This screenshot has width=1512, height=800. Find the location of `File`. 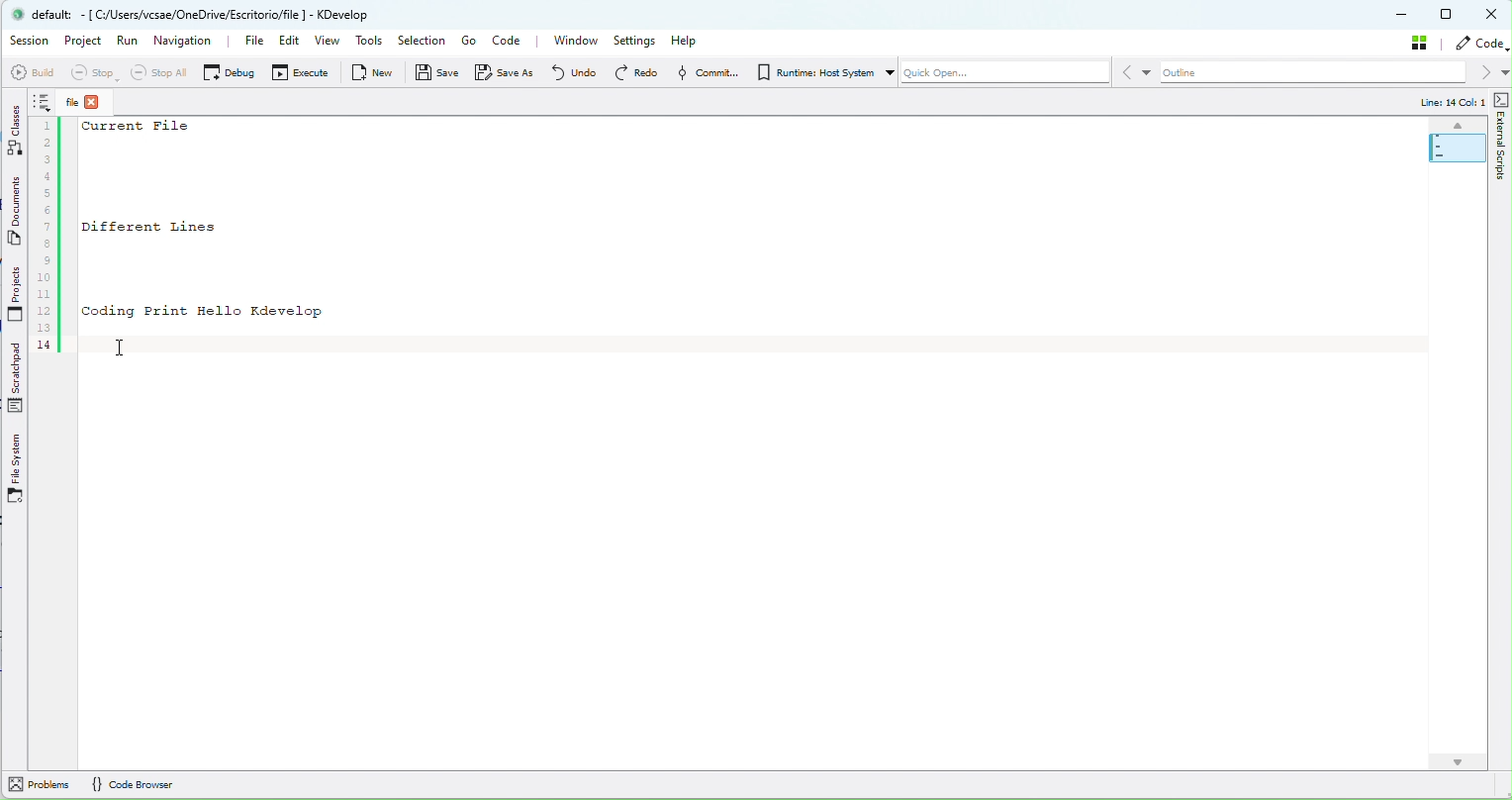

File is located at coordinates (243, 42).